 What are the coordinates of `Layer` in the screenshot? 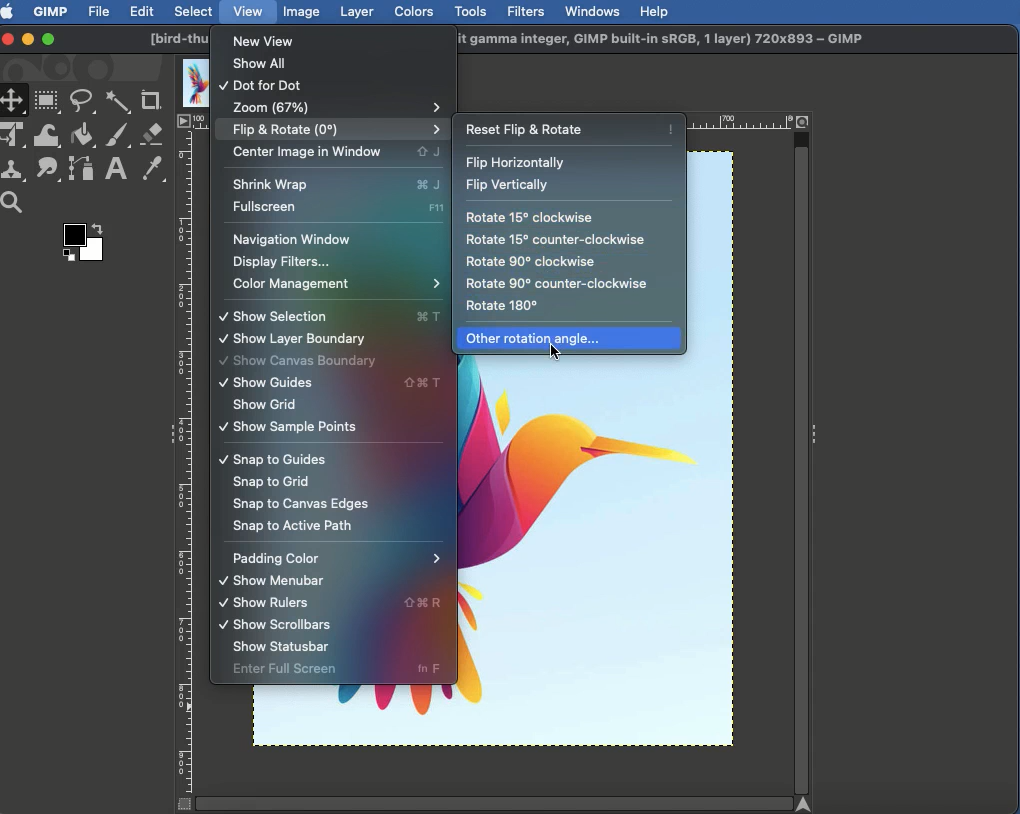 It's located at (357, 12).